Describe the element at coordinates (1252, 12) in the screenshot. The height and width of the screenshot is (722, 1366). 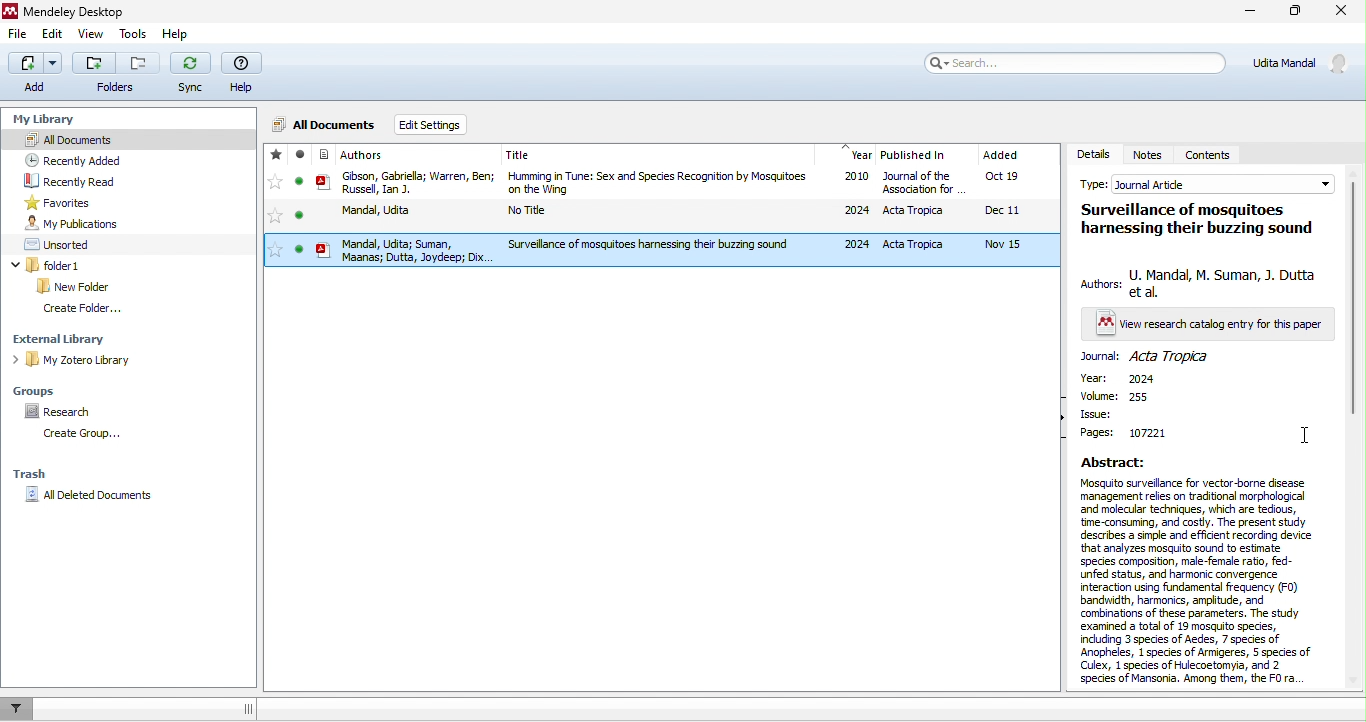
I see `minimize` at that location.